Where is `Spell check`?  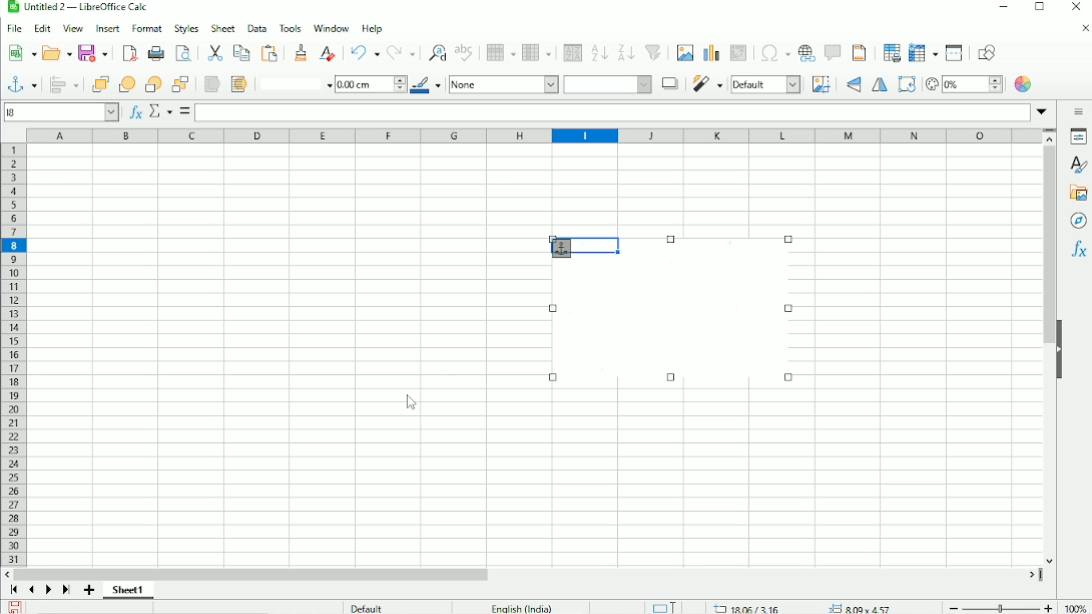 Spell check is located at coordinates (464, 52).